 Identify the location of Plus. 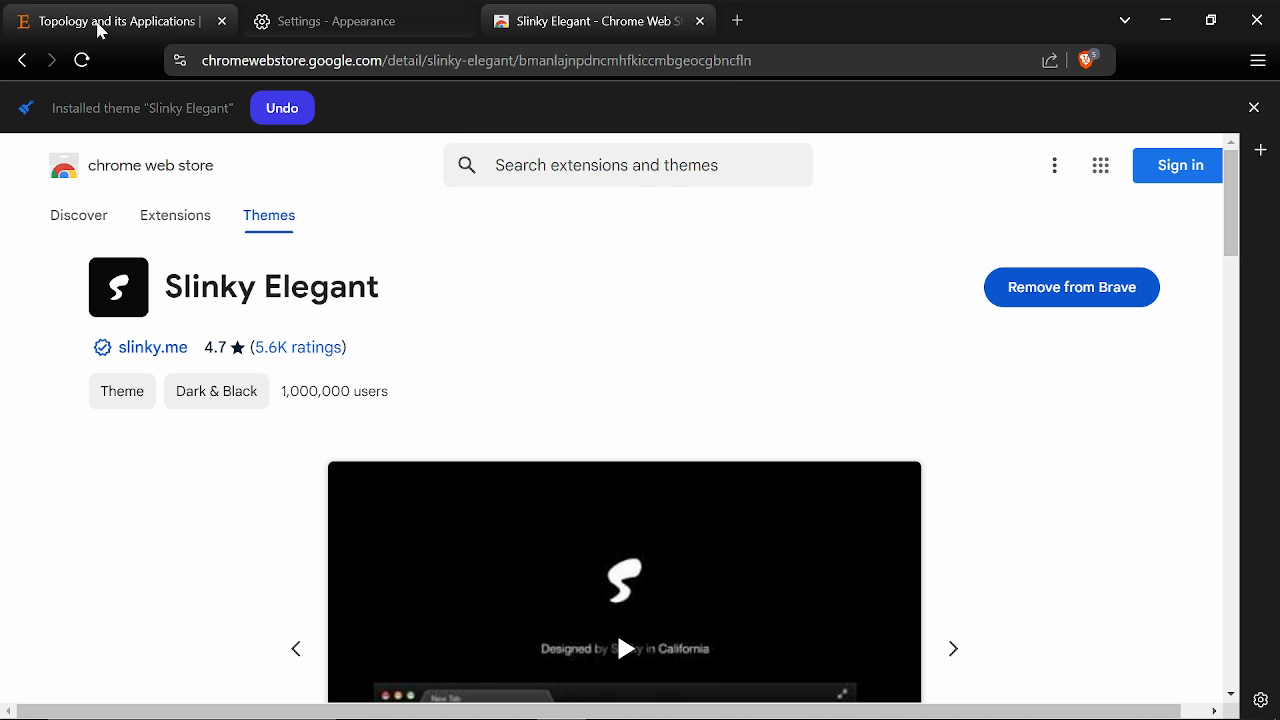
(1258, 103).